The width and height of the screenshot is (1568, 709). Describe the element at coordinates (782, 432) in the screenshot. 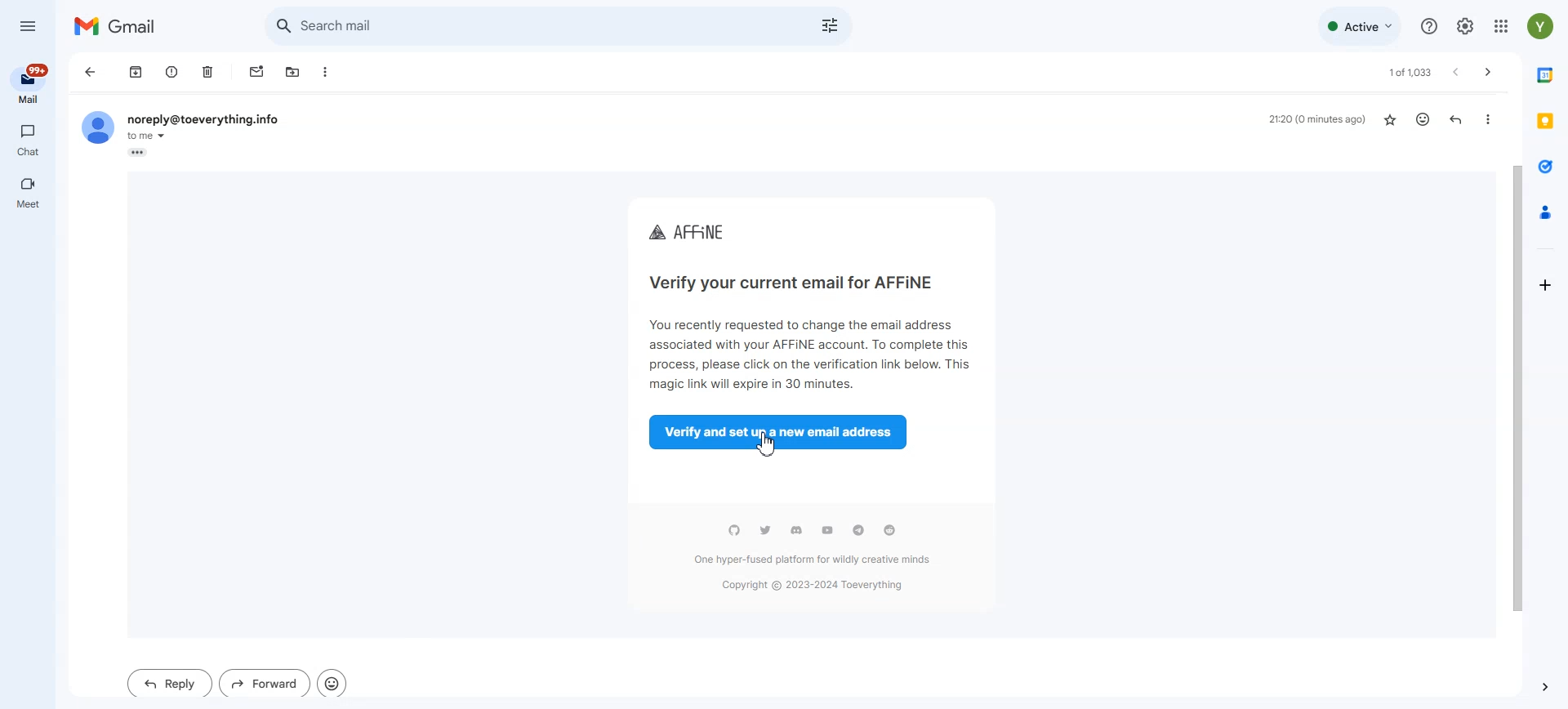

I see `Verify and set up a new email address` at that location.